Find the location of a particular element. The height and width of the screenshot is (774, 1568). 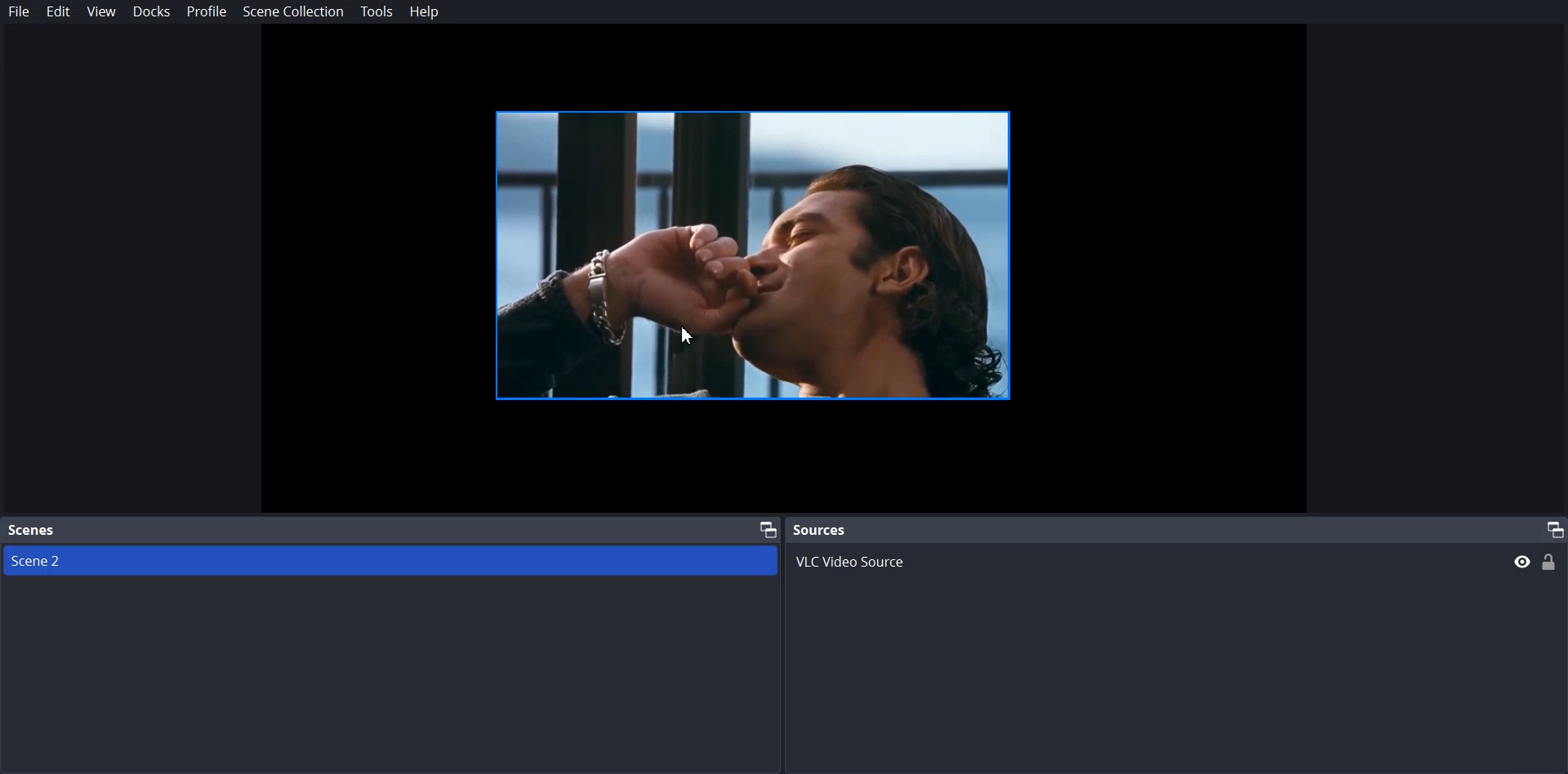

Sources is located at coordinates (820, 528).